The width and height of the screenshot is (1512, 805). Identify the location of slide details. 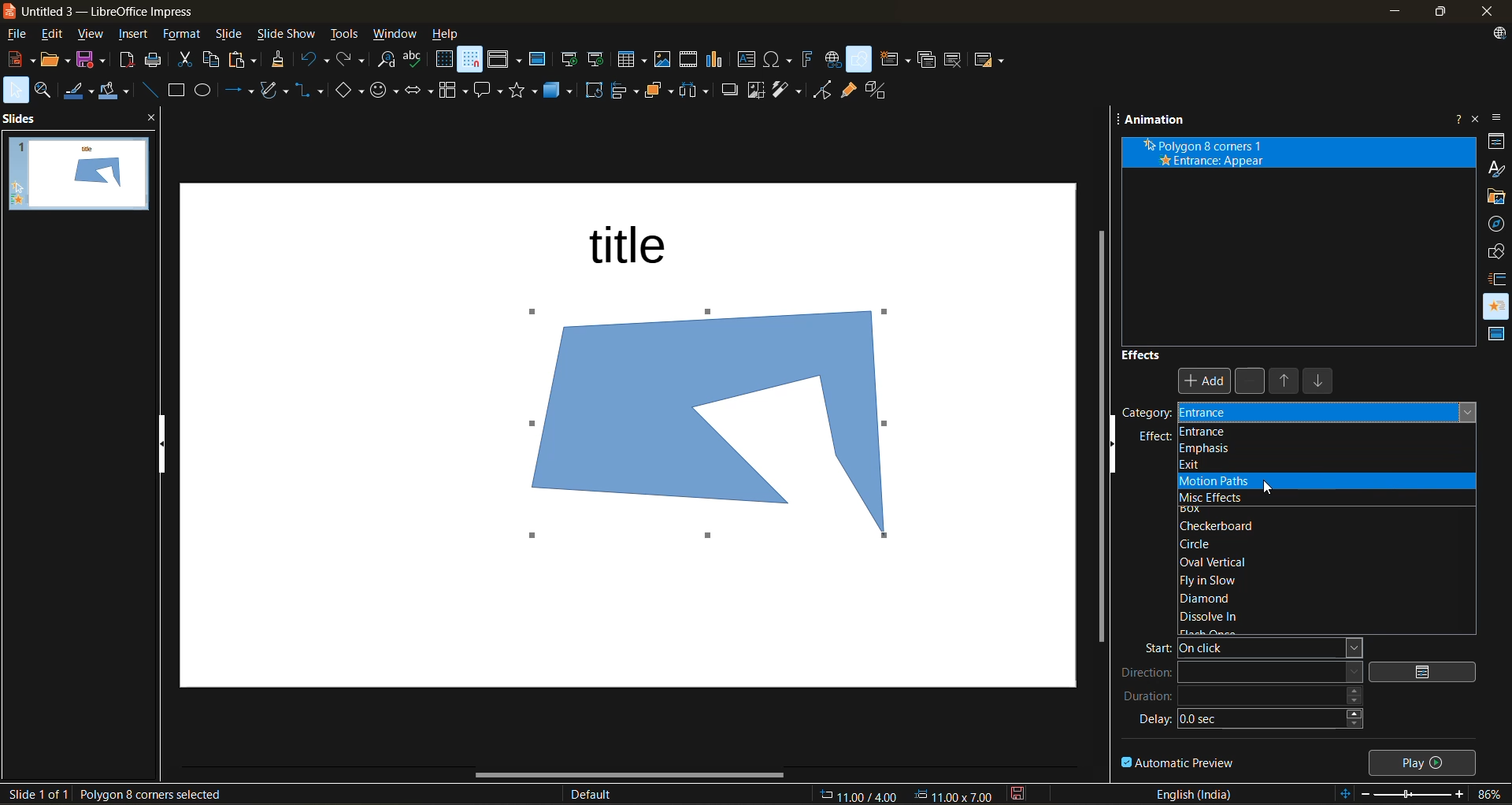
(37, 795).